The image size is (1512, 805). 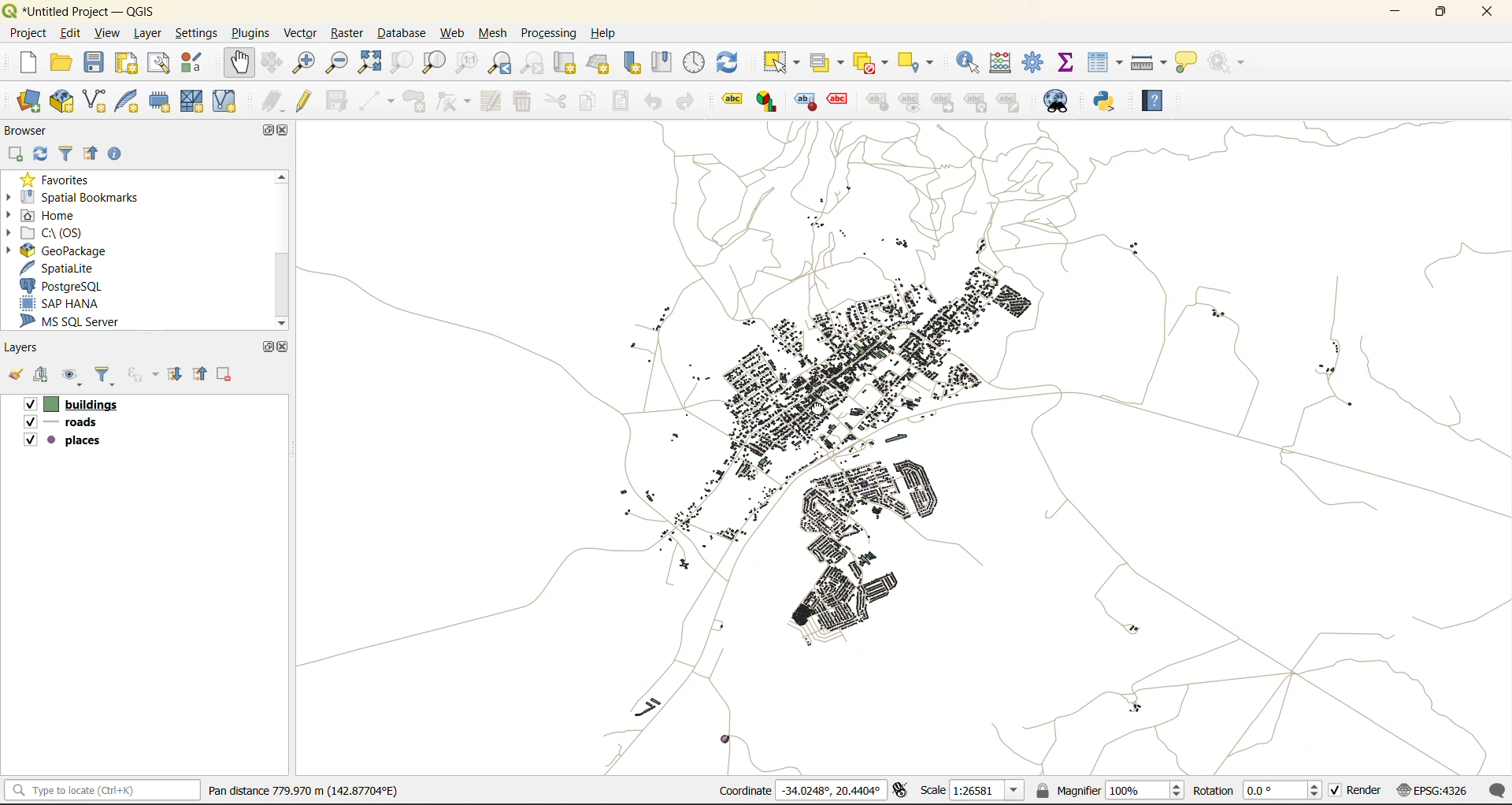 I want to click on zoom layer, so click(x=433, y=63).